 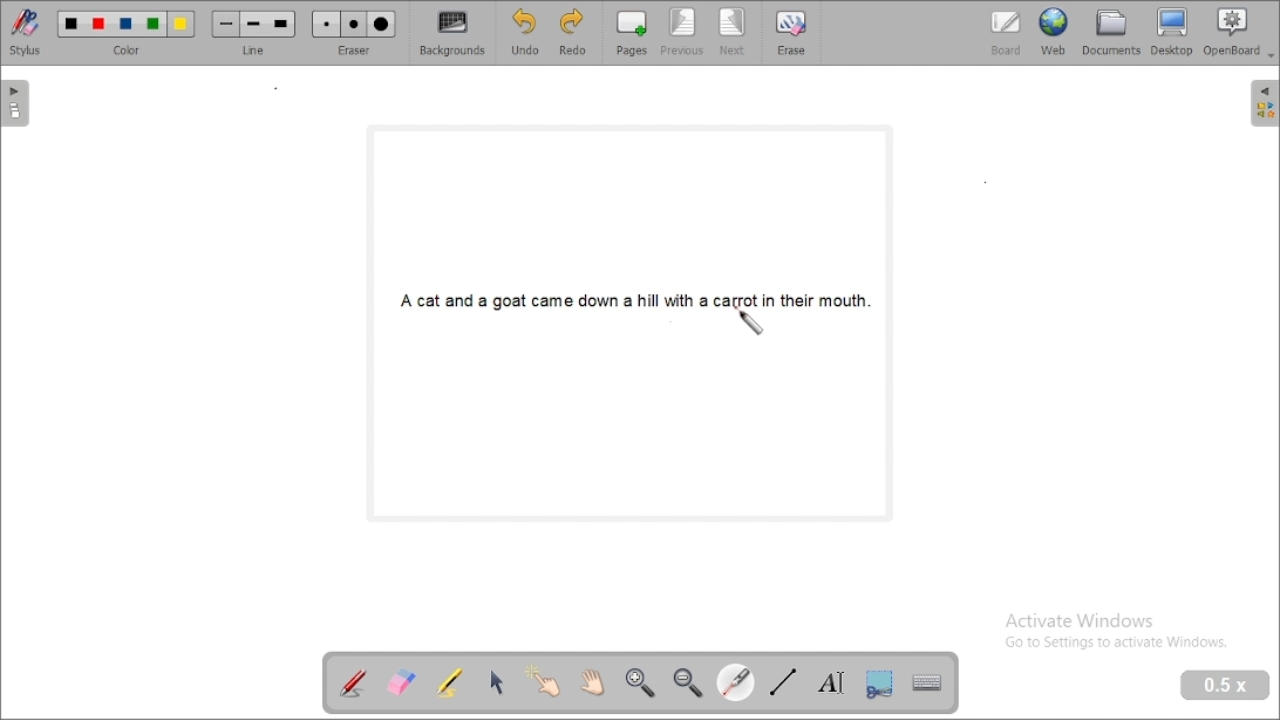 What do you see at coordinates (791, 32) in the screenshot?
I see `erase` at bounding box center [791, 32].